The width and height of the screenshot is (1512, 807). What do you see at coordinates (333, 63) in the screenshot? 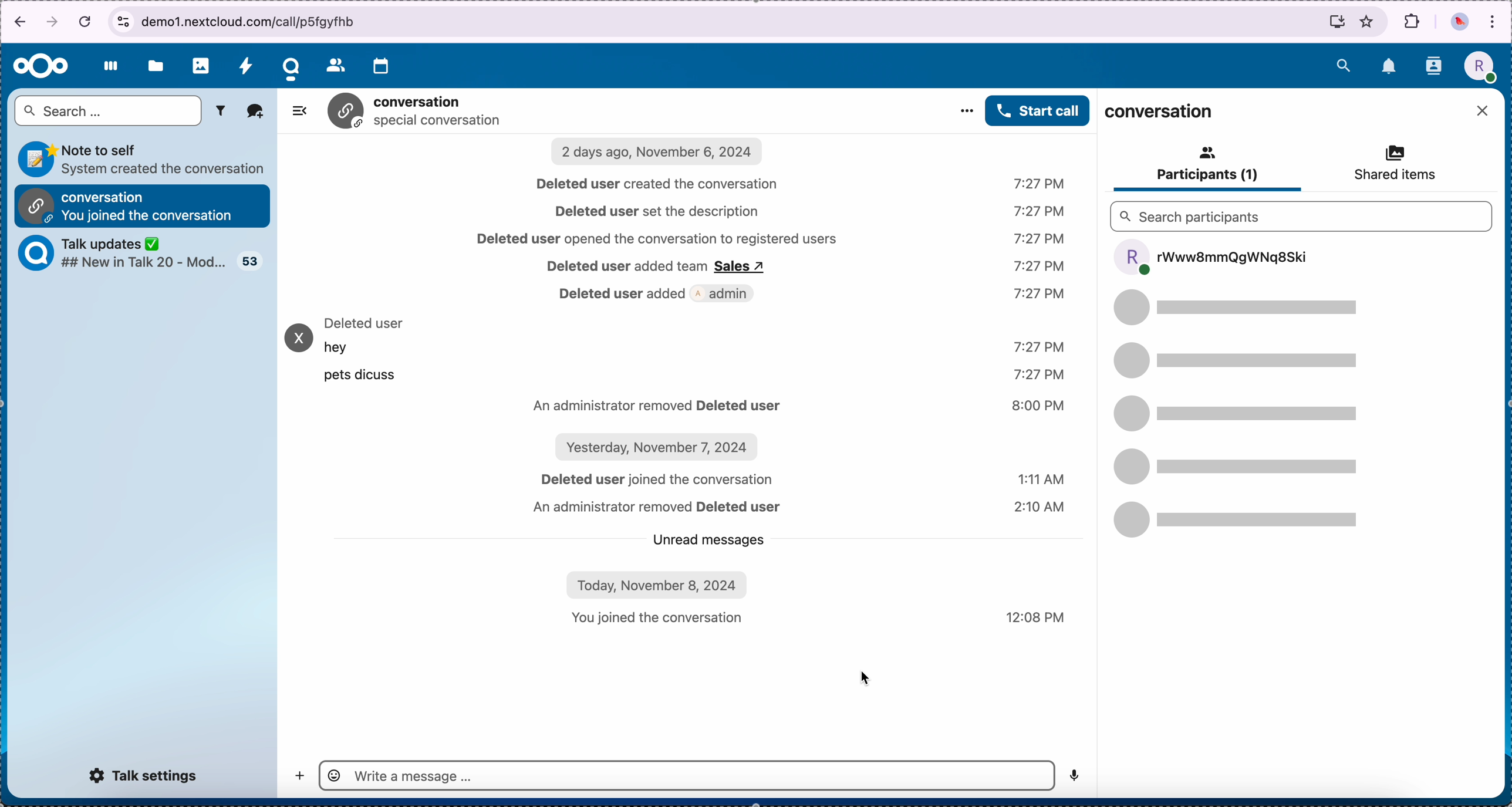
I see `contacts` at bounding box center [333, 63].